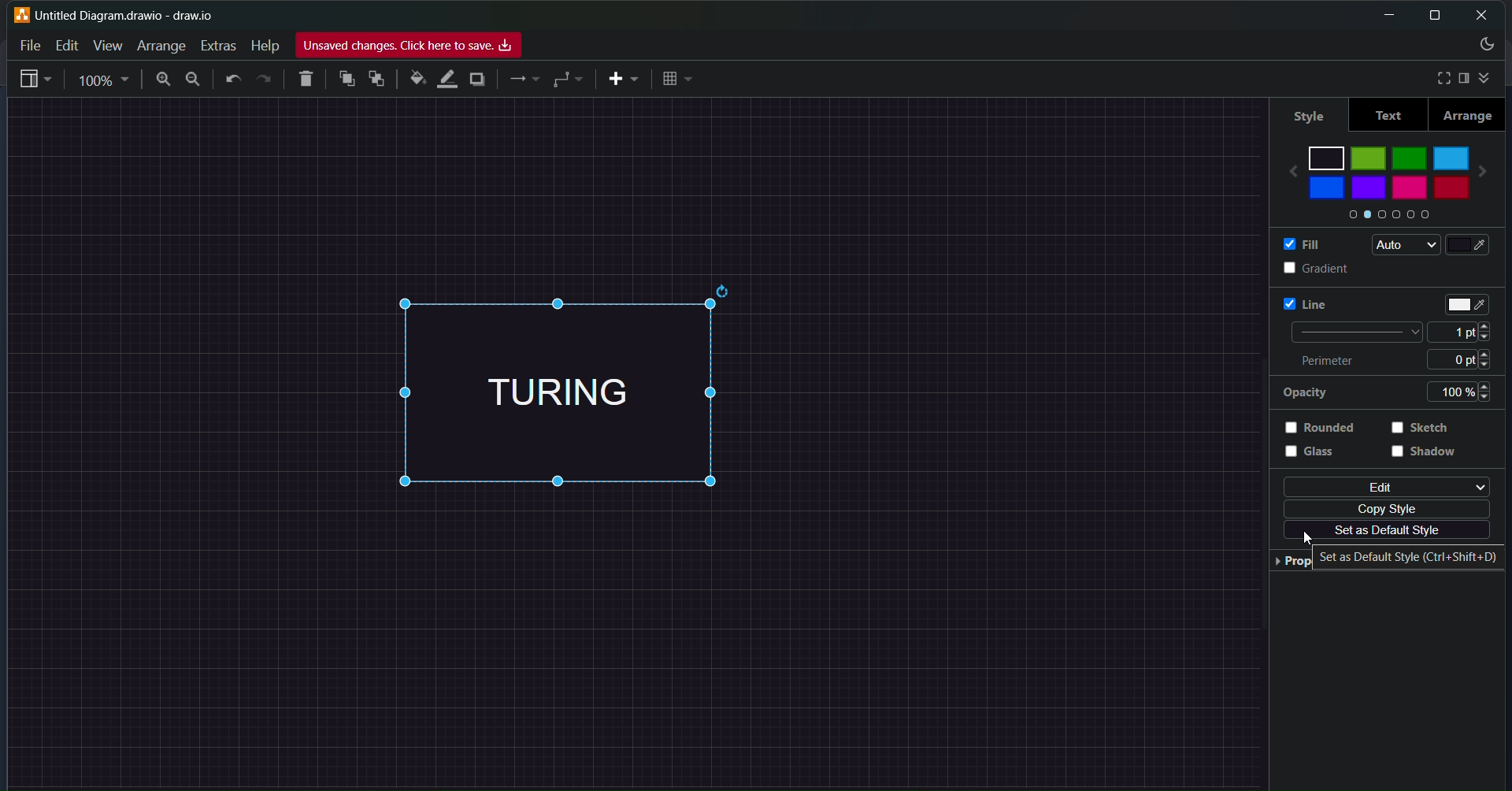 Image resolution: width=1512 pixels, height=791 pixels. I want to click on sidebar, so click(35, 81).